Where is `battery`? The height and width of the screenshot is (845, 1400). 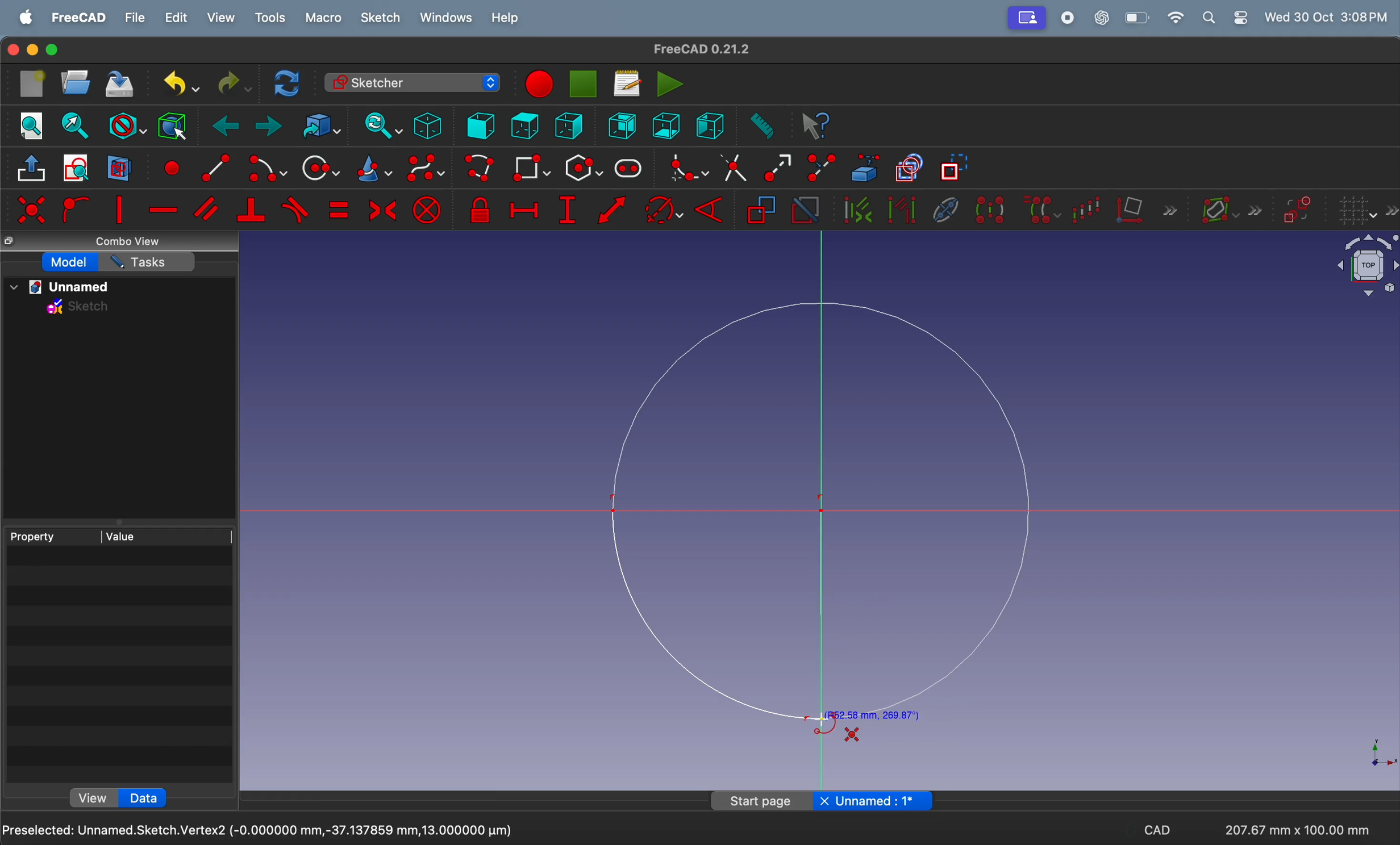 battery is located at coordinates (1138, 18).